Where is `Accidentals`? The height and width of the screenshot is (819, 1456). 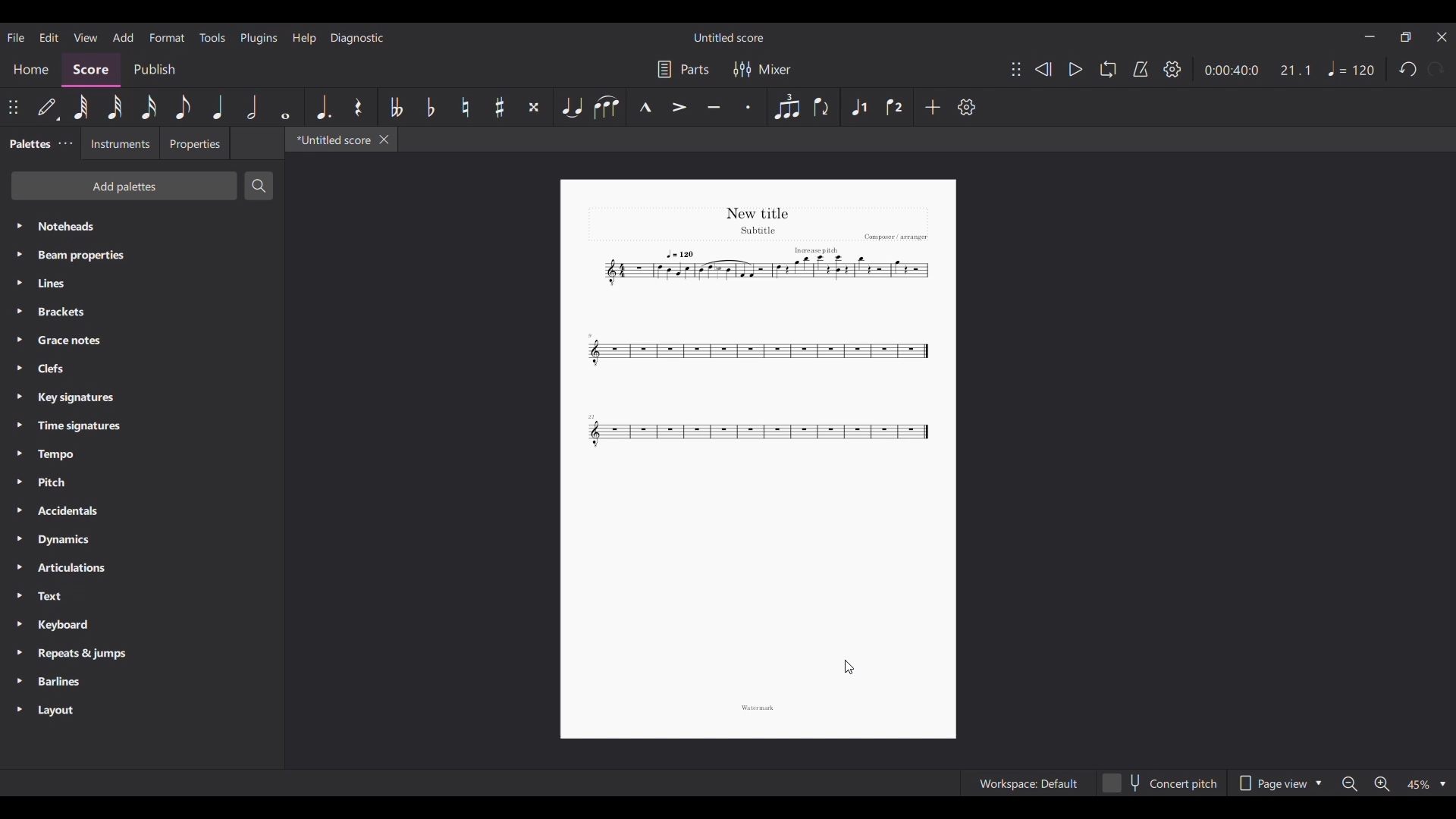
Accidentals is located at coordinates (143, 510).